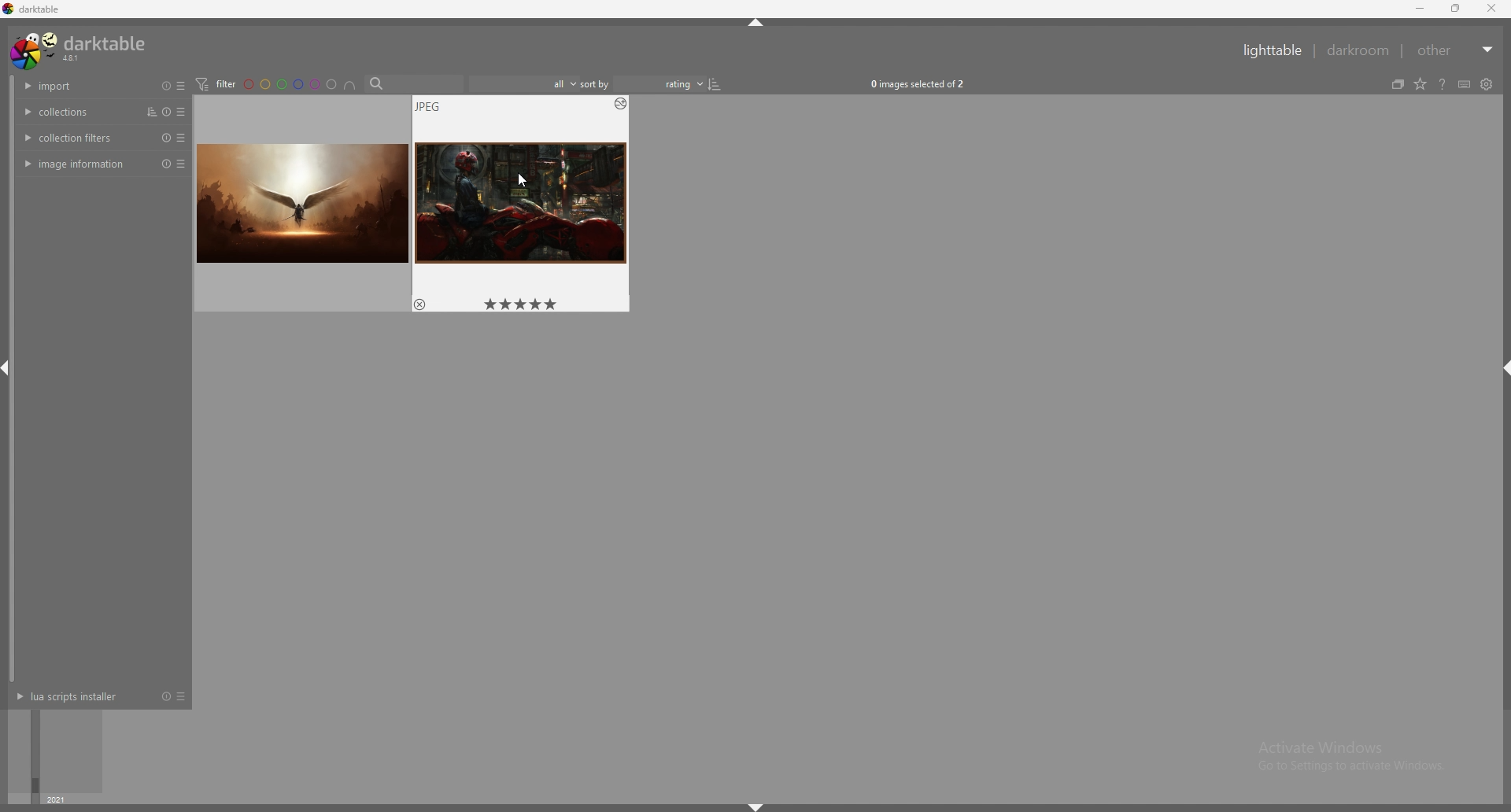 Image resolution: width=1511 pixels, height=812 pixels. Describe the element at coordinates (1420, 9) in the screenshot. I see `minimize` at that location.